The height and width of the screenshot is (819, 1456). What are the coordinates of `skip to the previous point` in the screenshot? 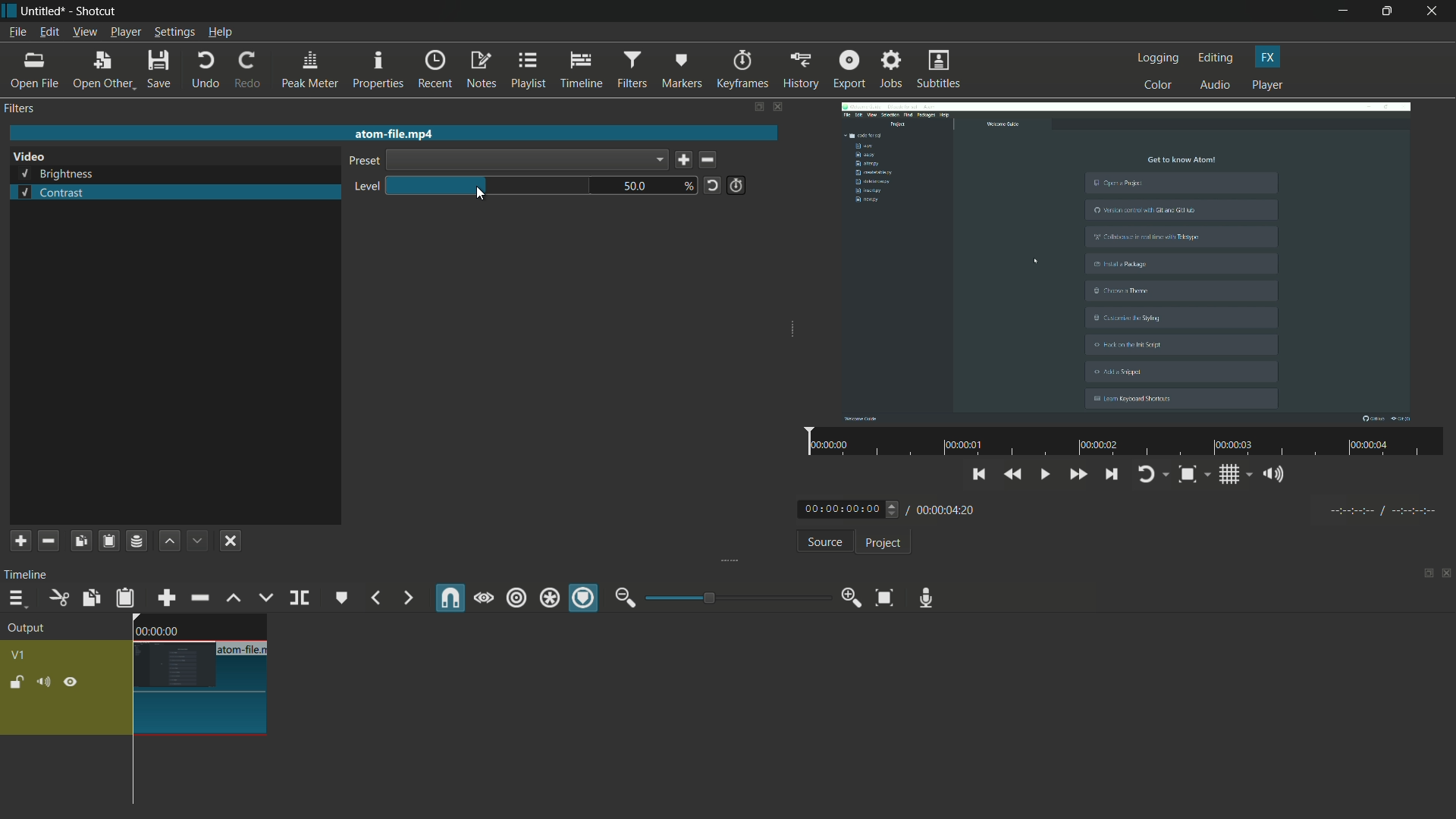 It's located at (979, 472).